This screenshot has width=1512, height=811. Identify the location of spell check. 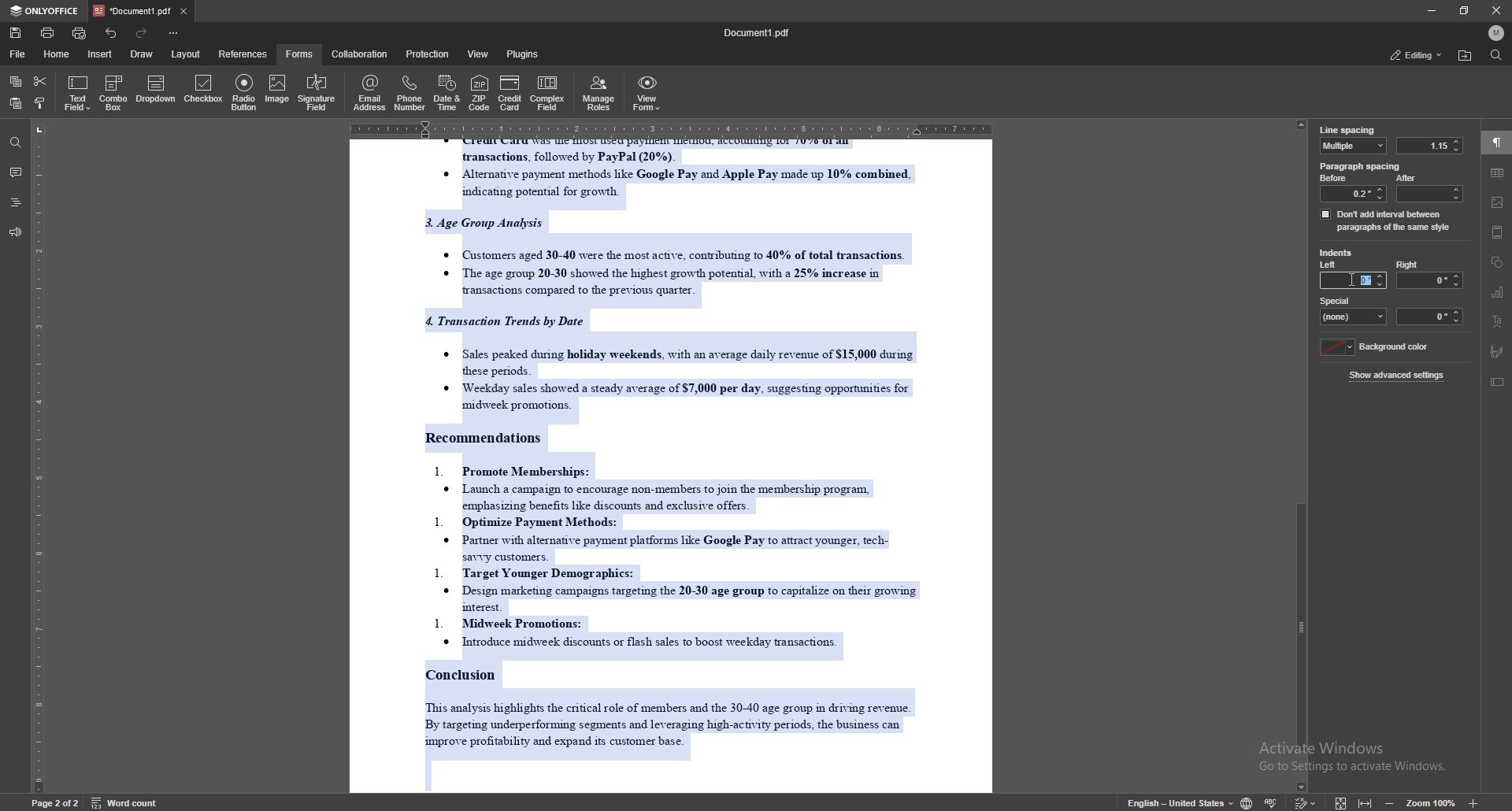
(1273, 801).